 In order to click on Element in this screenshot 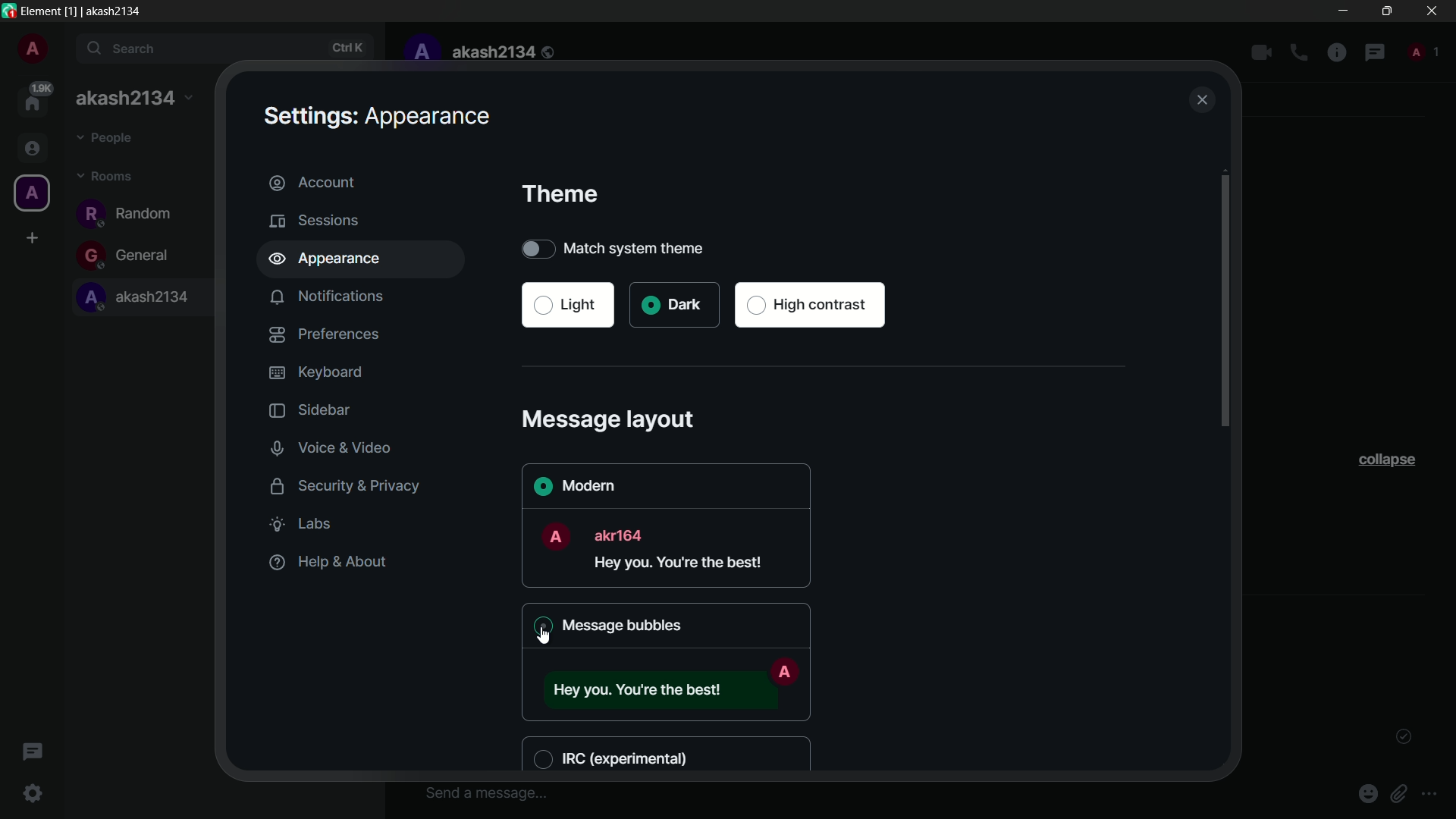, I will do `click(41, 10)`.